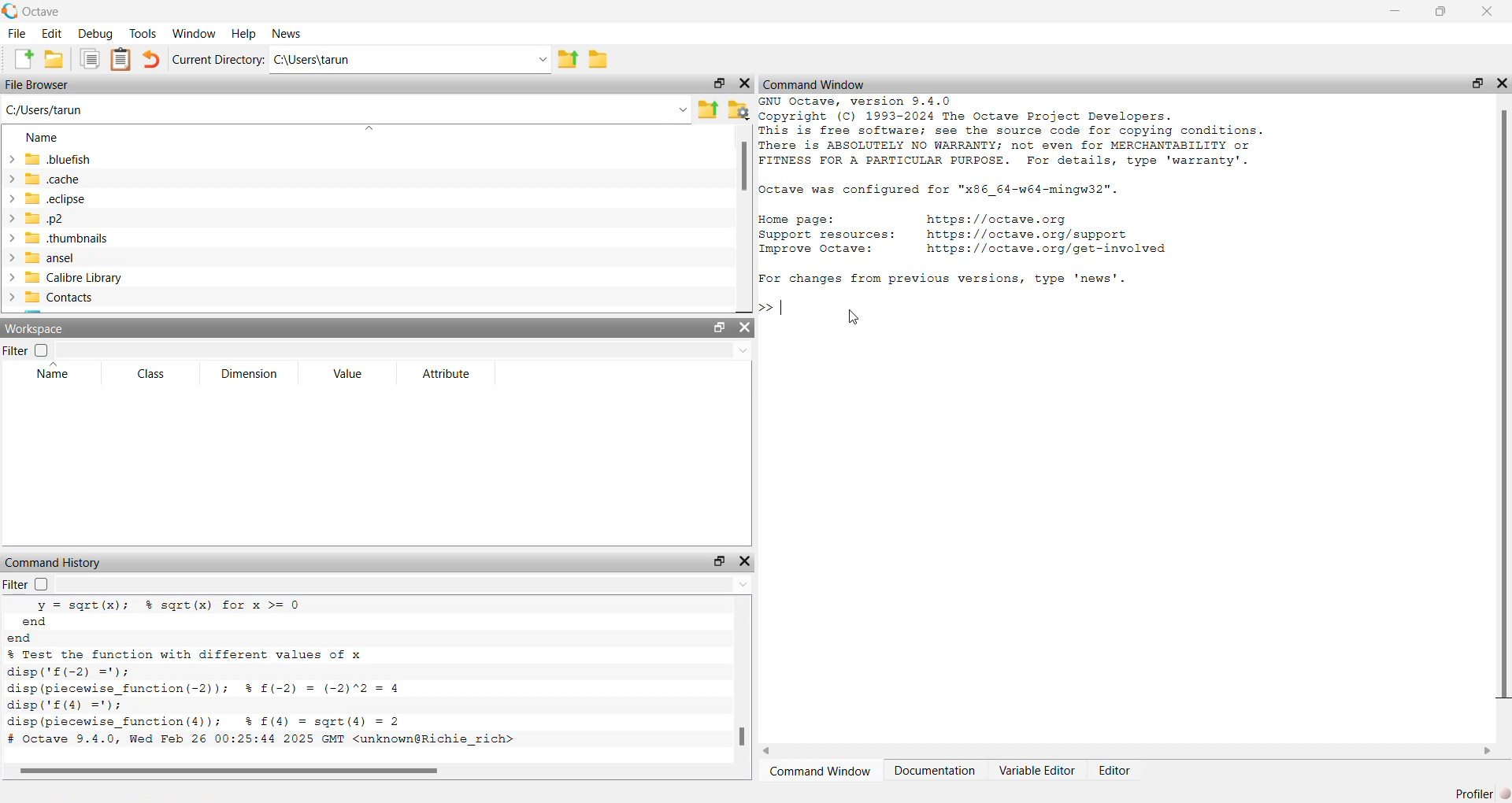 The image size is (1512, 803). What do you see at coordinates (45, 178) in the screenshot?
I see `>cache` at bounding box center [45, 178].